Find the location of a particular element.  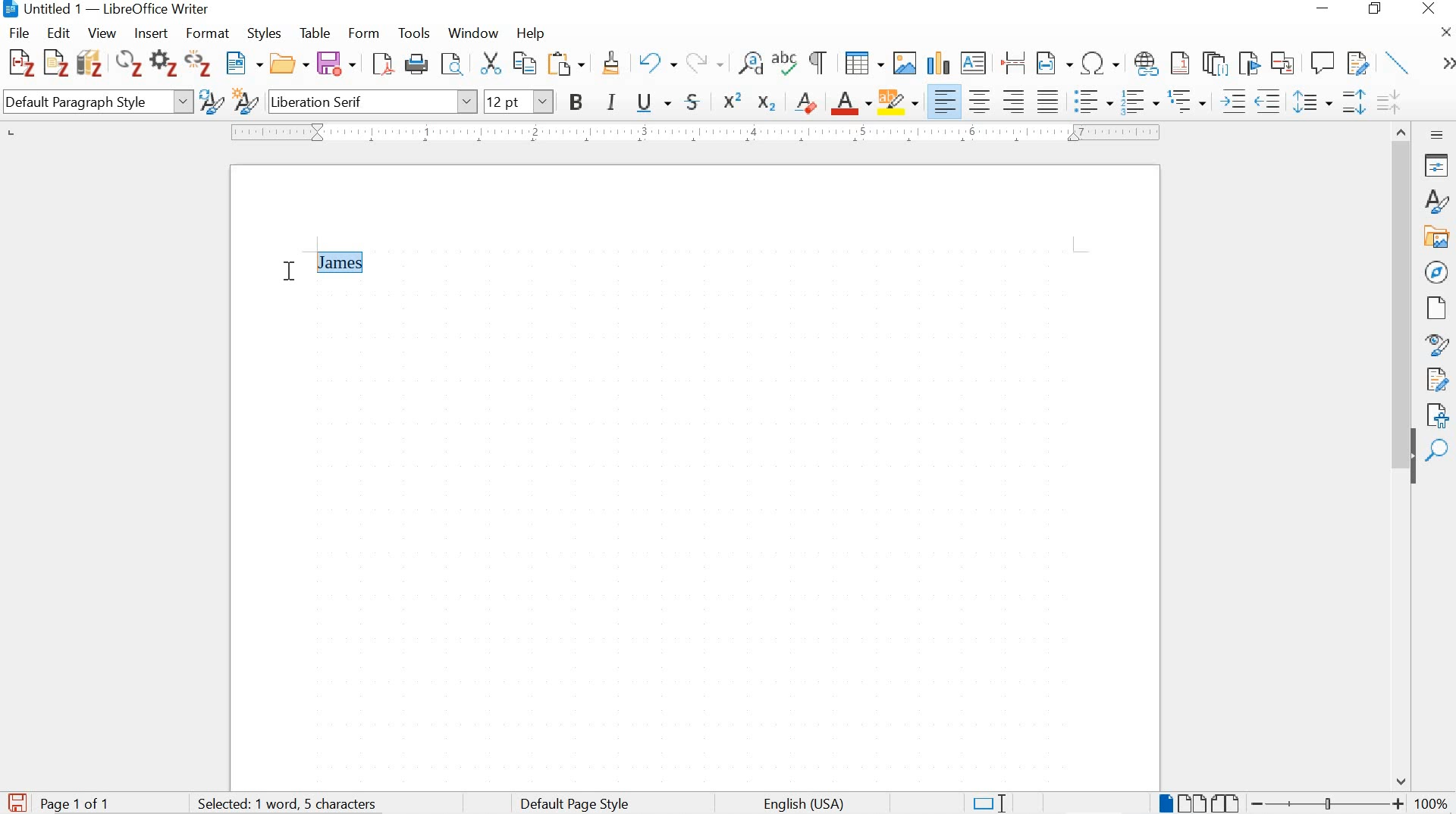

book view is located at coordinates (1227, 803).